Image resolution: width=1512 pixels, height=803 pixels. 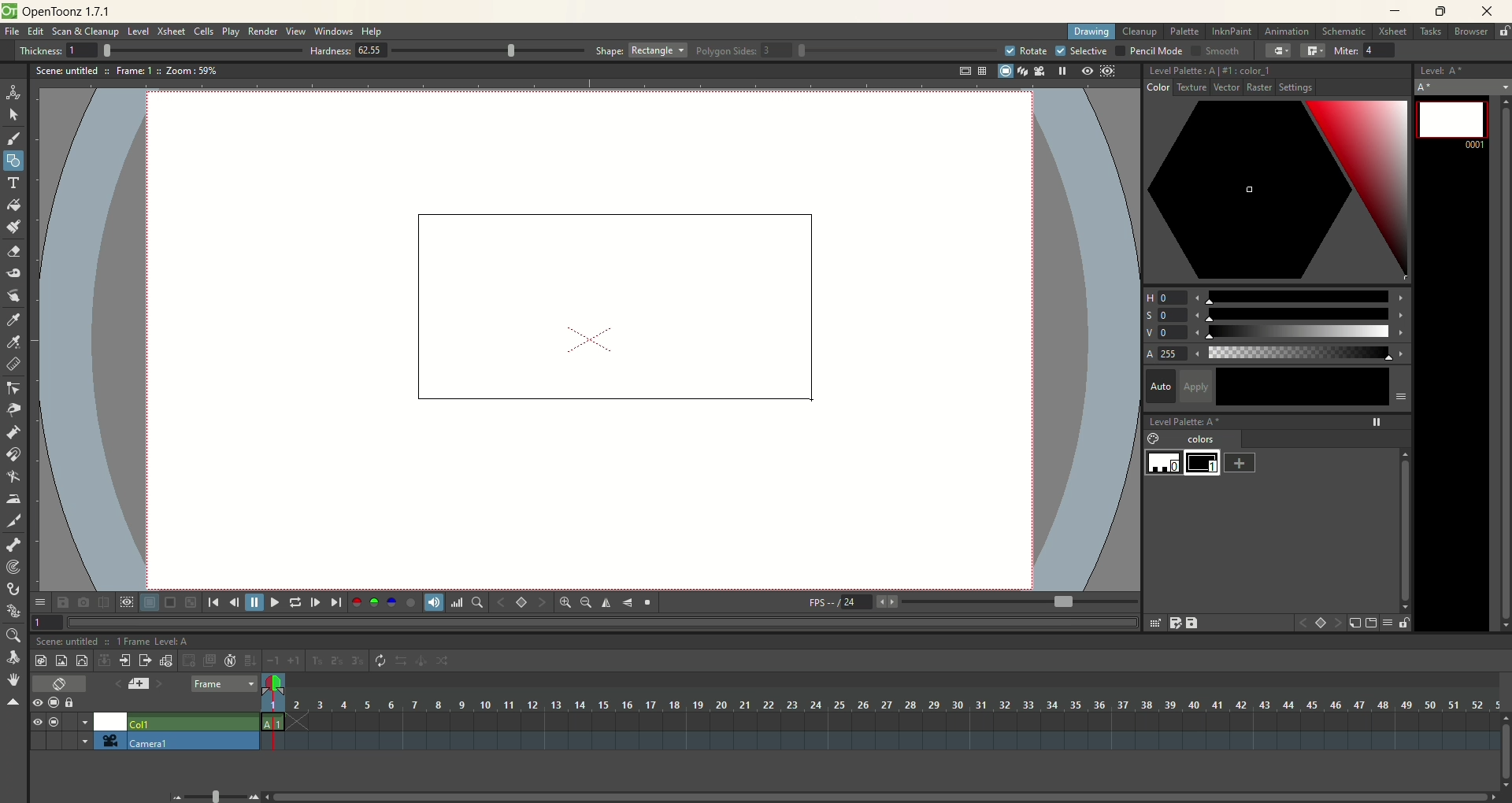 I want to click on pencil mode, so click(x=1148, y=50).